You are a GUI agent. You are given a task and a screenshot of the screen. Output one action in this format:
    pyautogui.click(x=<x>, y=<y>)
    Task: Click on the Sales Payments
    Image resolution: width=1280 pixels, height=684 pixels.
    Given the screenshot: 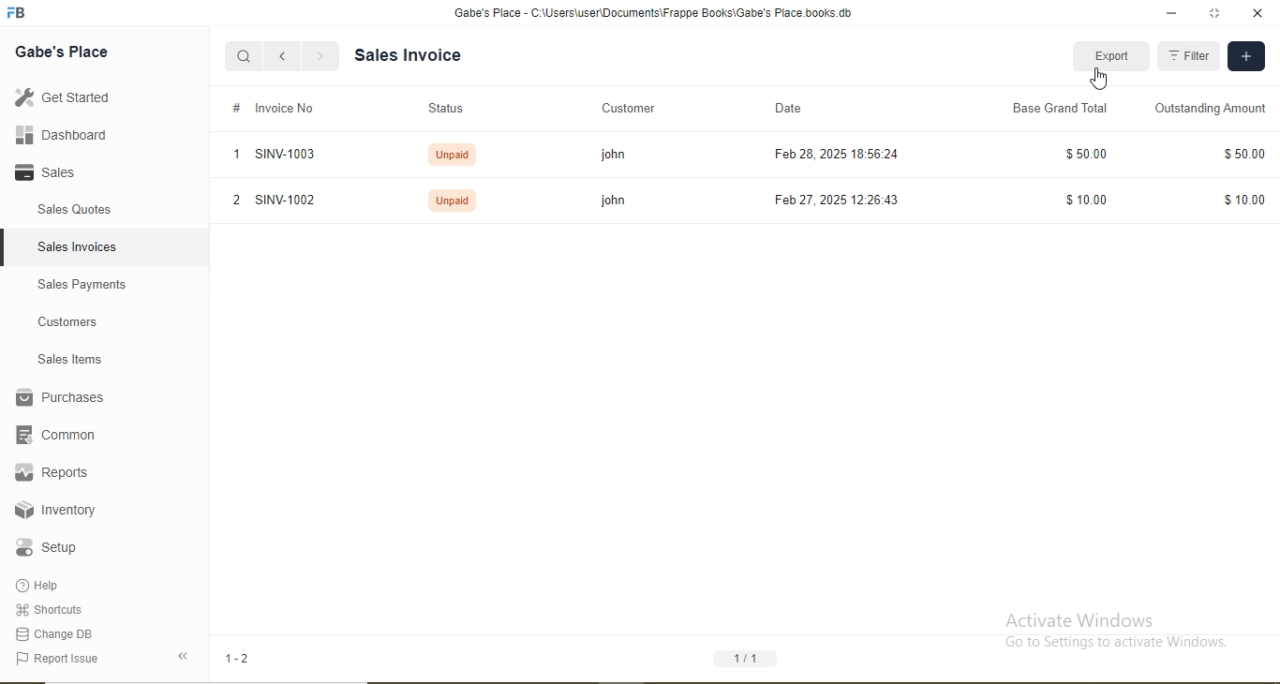 What is the action you would take?
    pyautogui.click(x=80, y=284)
    